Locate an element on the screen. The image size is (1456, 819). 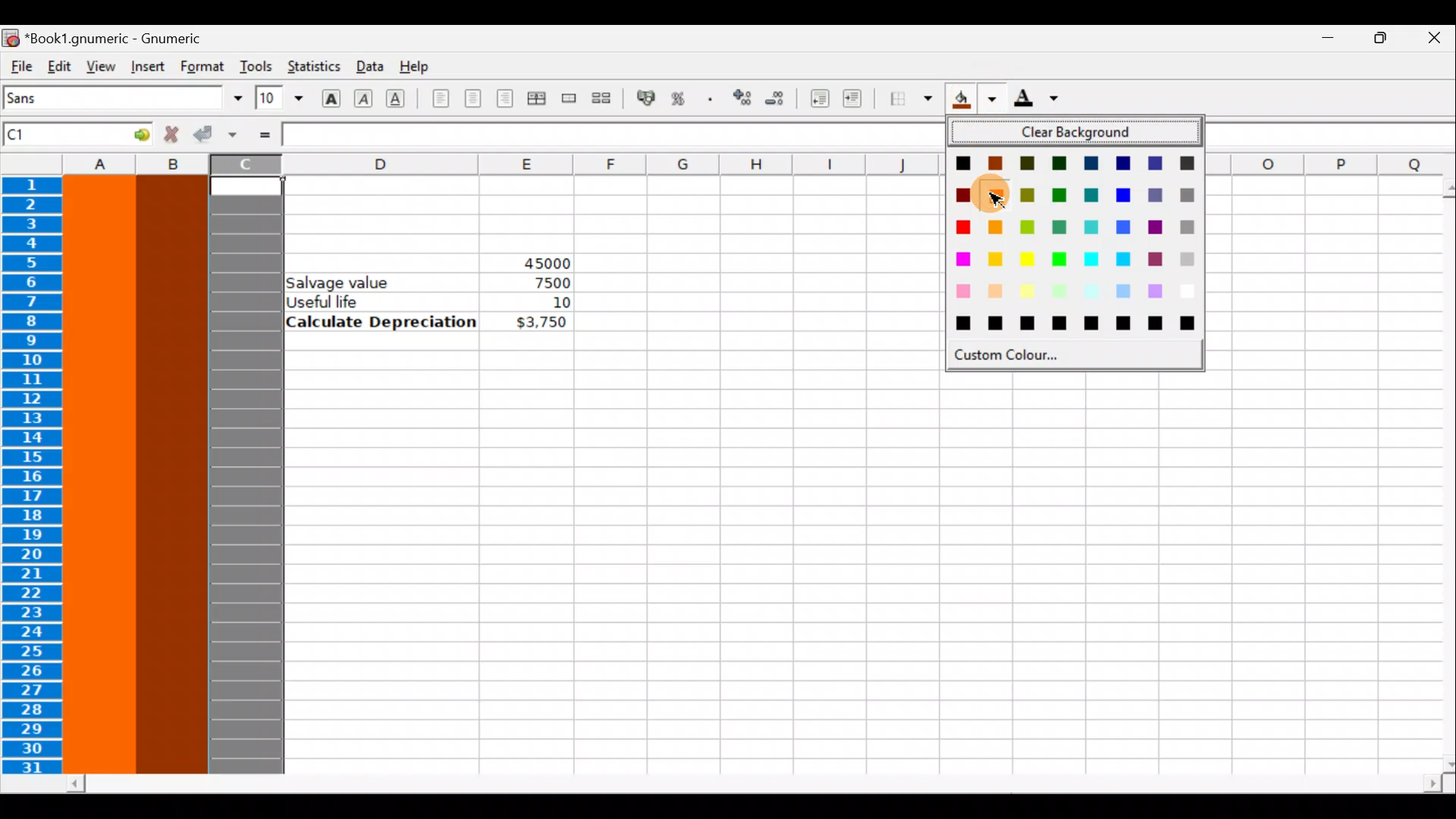
Centre horizontally across selection is located at coordinates (536, 101).